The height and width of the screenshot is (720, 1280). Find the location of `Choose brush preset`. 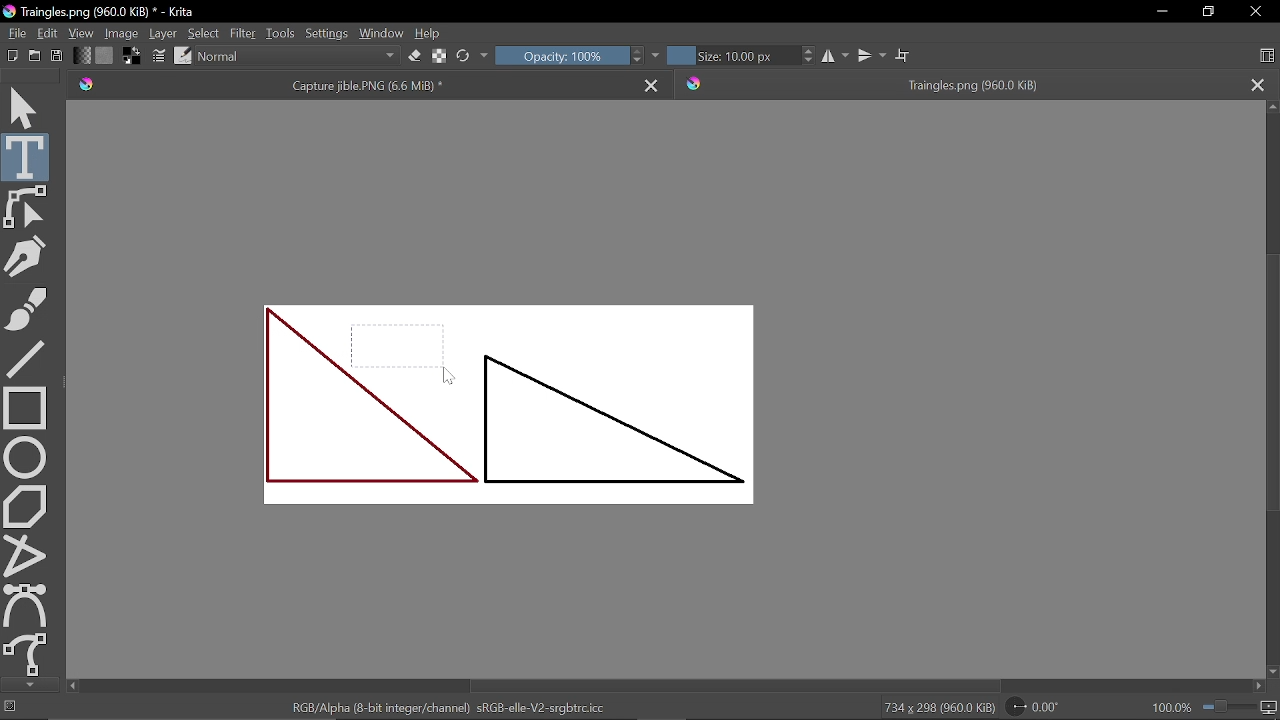

Choose brush preset is located at coordinates (183, 55).